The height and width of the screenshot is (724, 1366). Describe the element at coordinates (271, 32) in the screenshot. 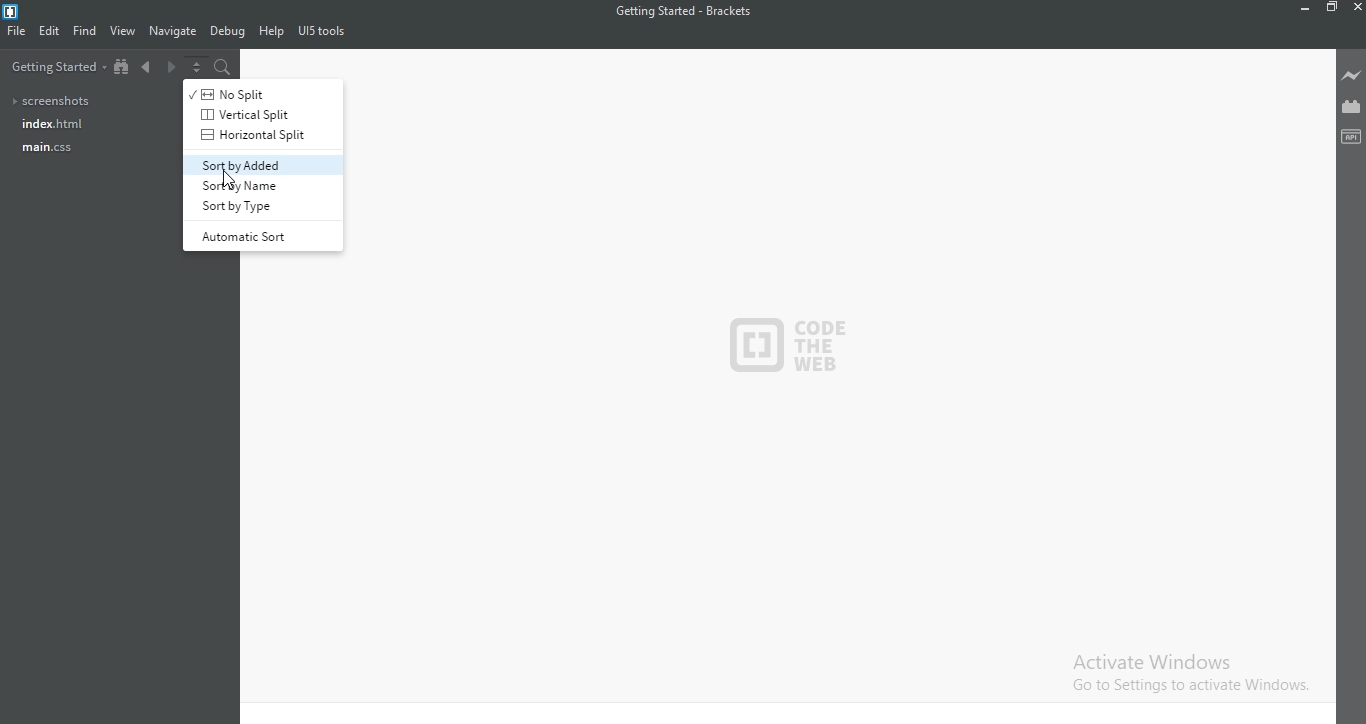

I see `Help` at that location.